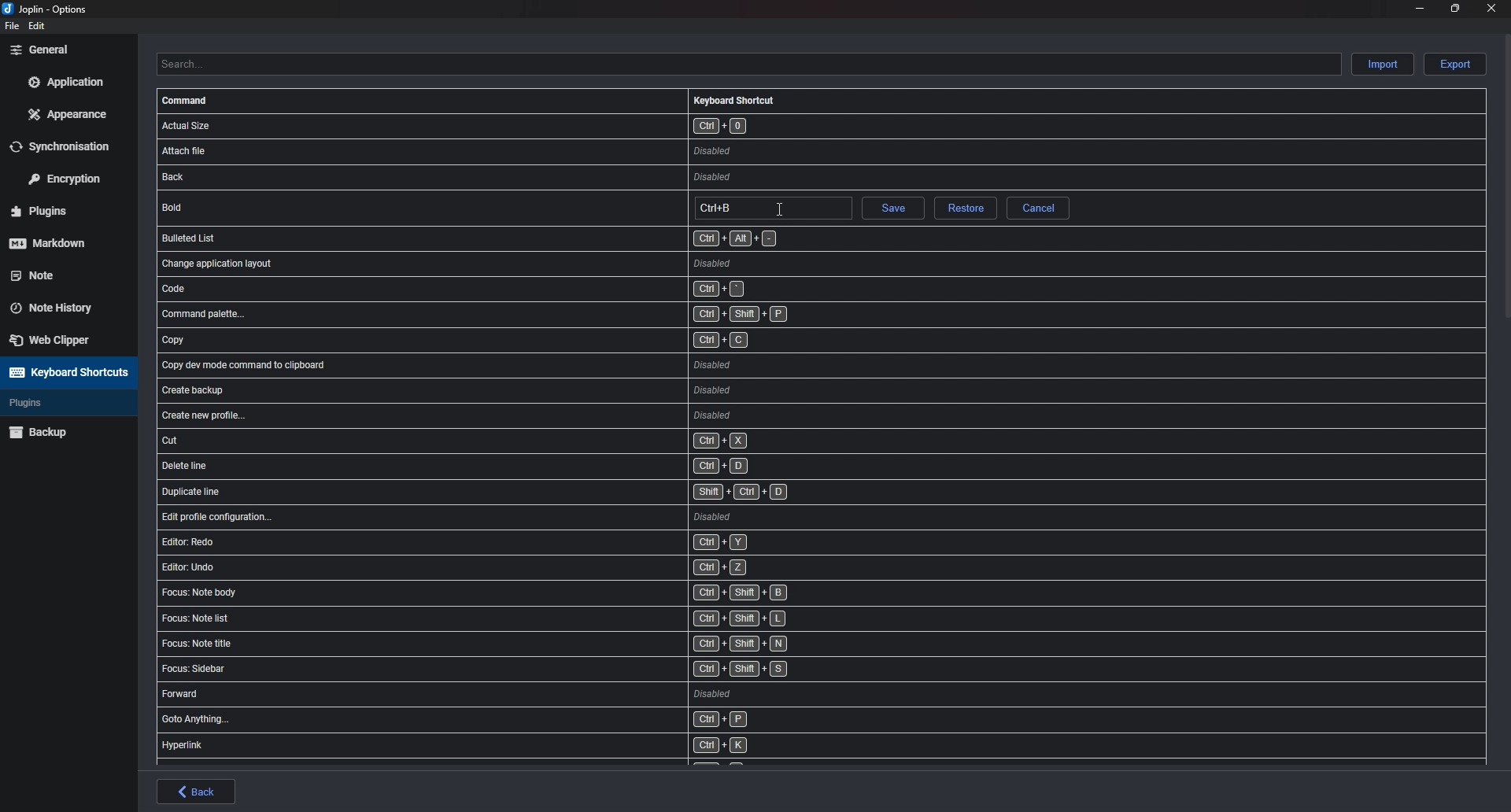  What do you see at coordinates (65, 49) in the screenshot?
I see `General` at bounding box center [65, 49].